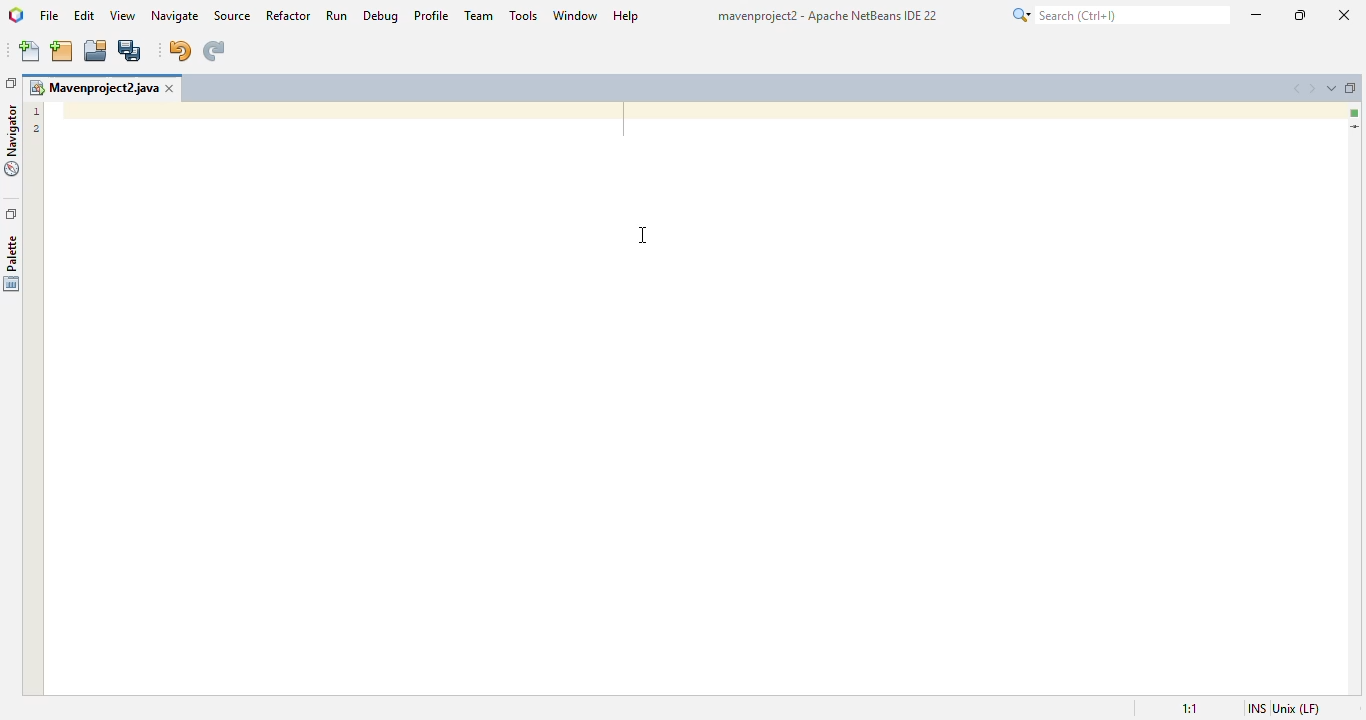  I want to click on help, so click(627, 16).